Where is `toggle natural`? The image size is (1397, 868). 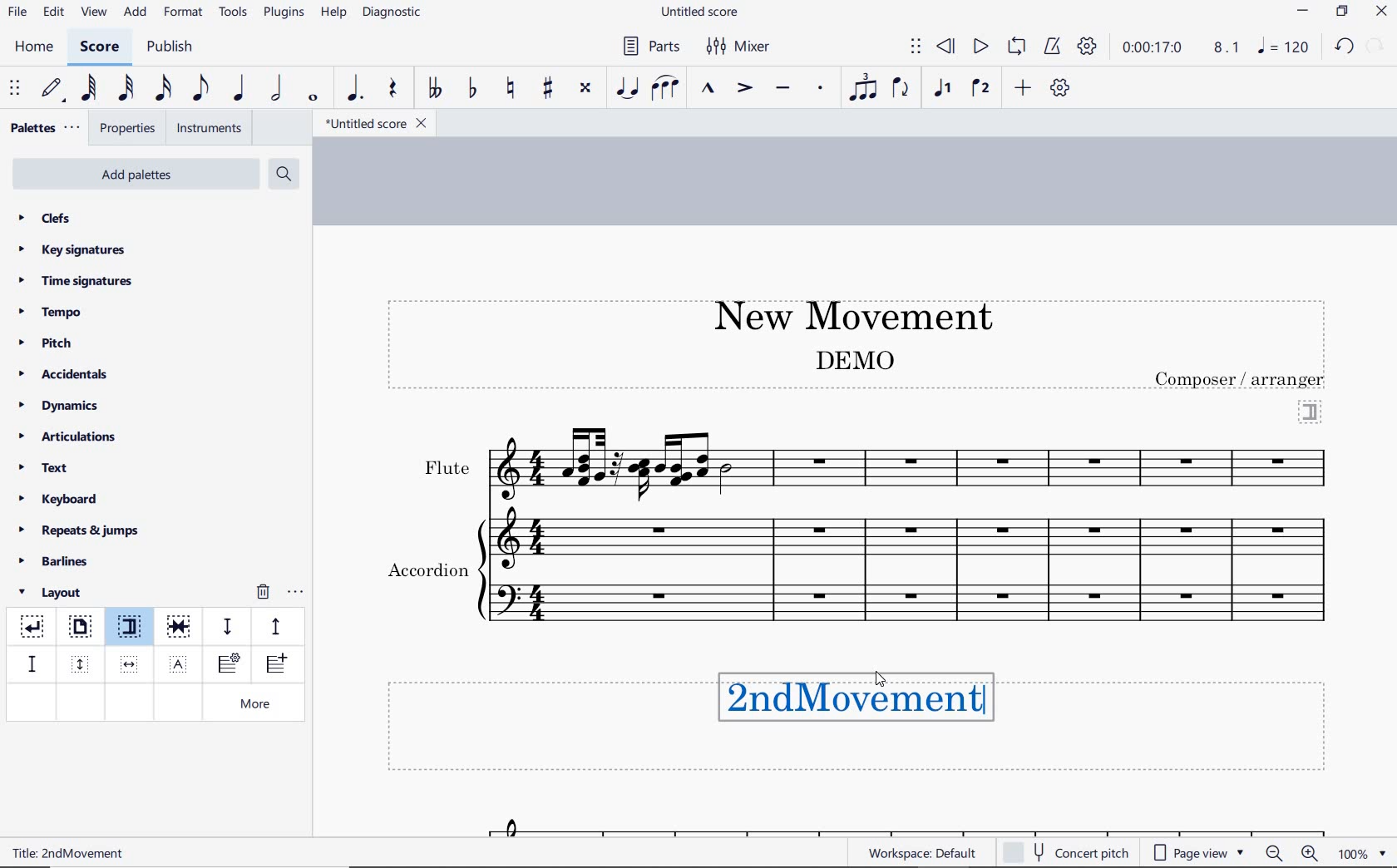 toggle natural is located at coordinates (512, 89).